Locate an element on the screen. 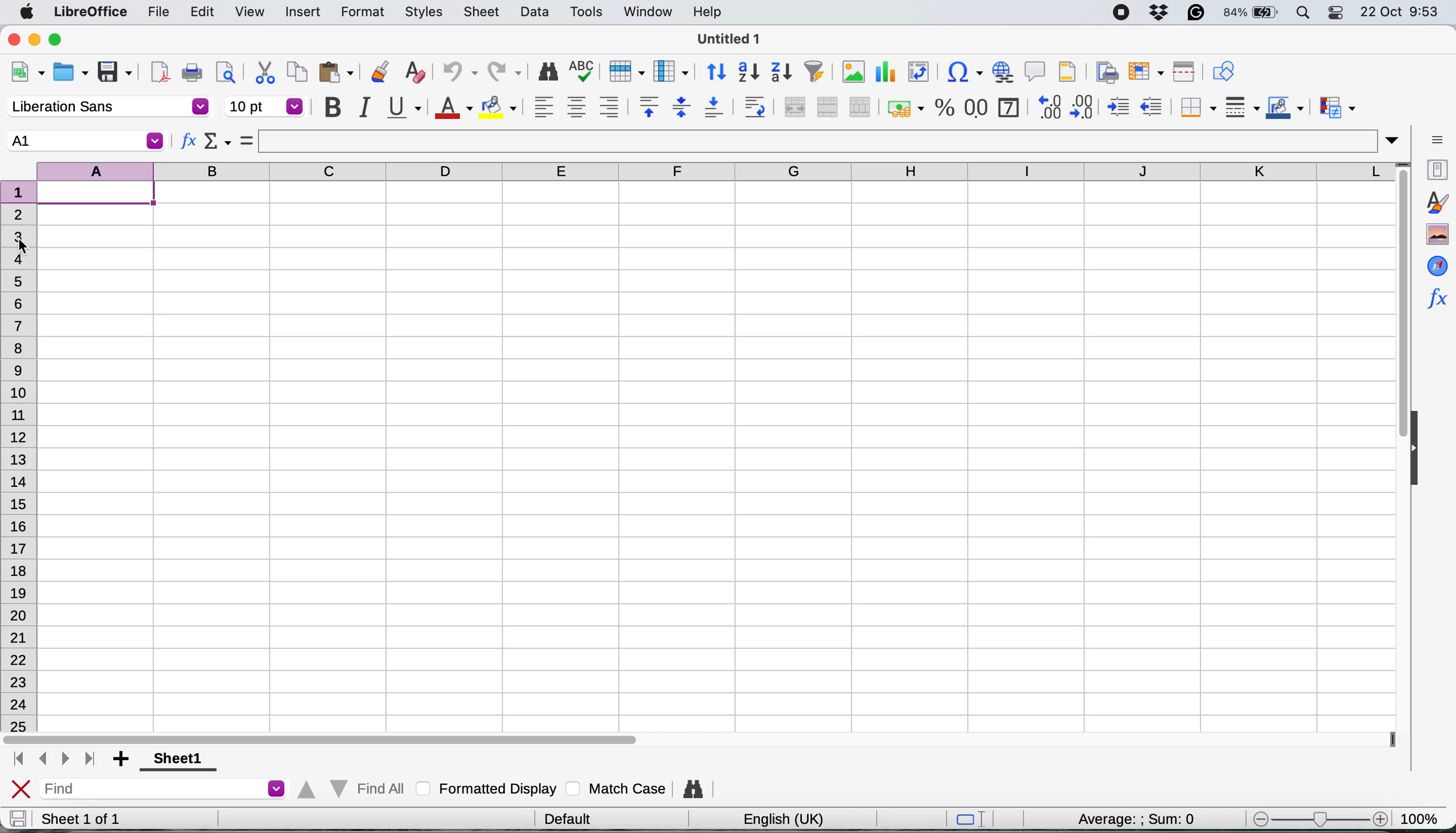  grammarly is located at coordinates (1198, 12).